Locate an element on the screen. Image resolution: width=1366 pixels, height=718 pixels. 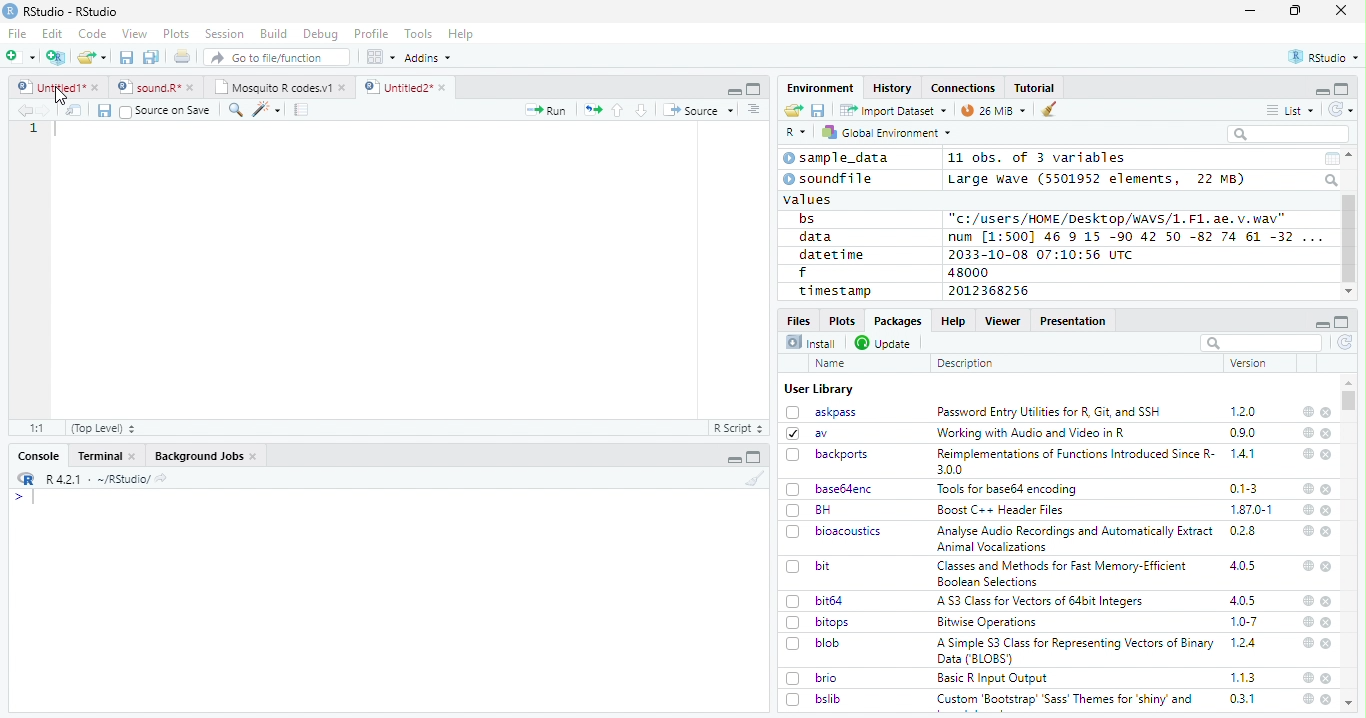
Save is located at coordinates (103, 111).